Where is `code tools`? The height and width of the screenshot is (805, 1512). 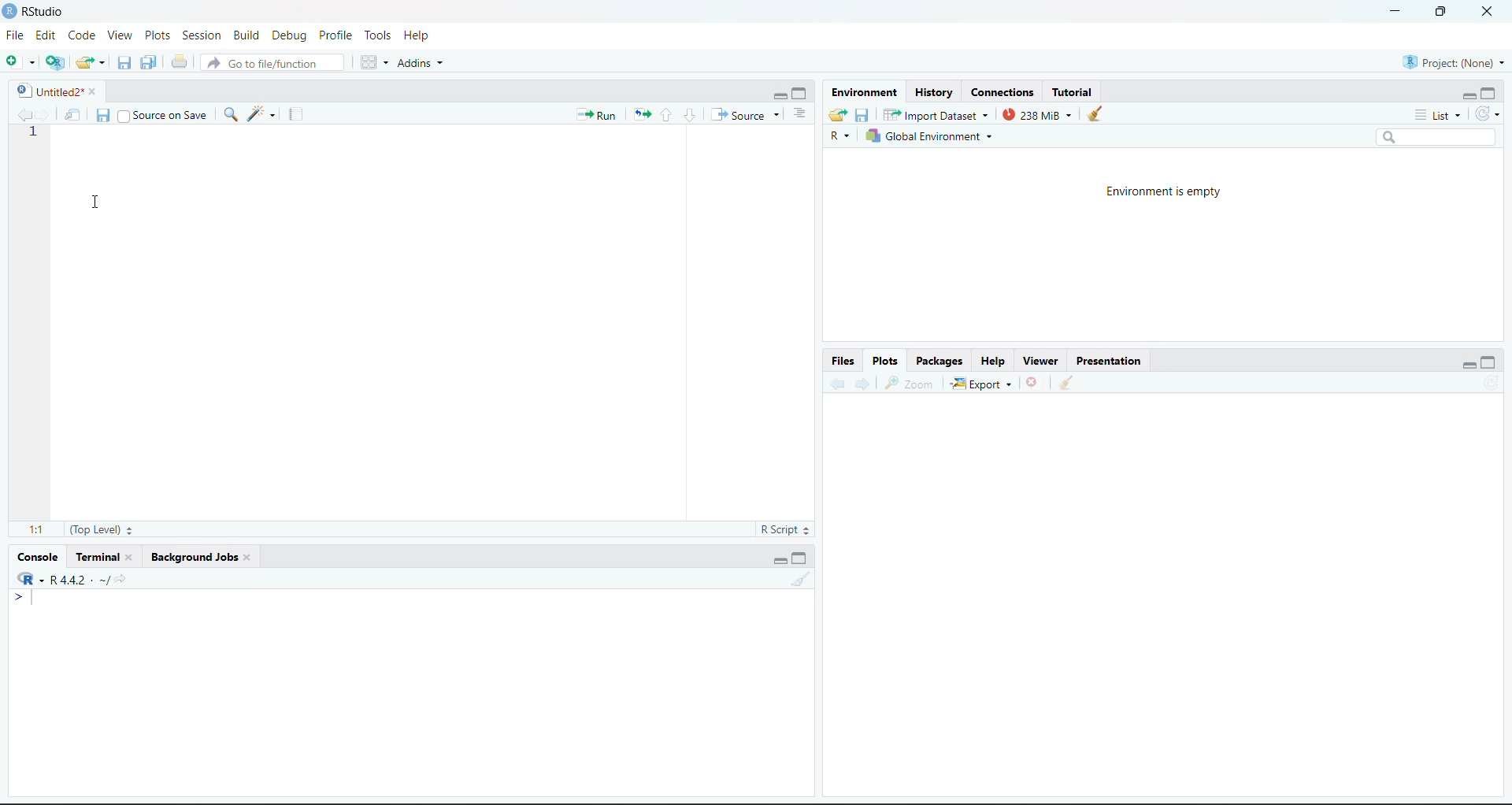
code tools is located at coordinates (262, 114).